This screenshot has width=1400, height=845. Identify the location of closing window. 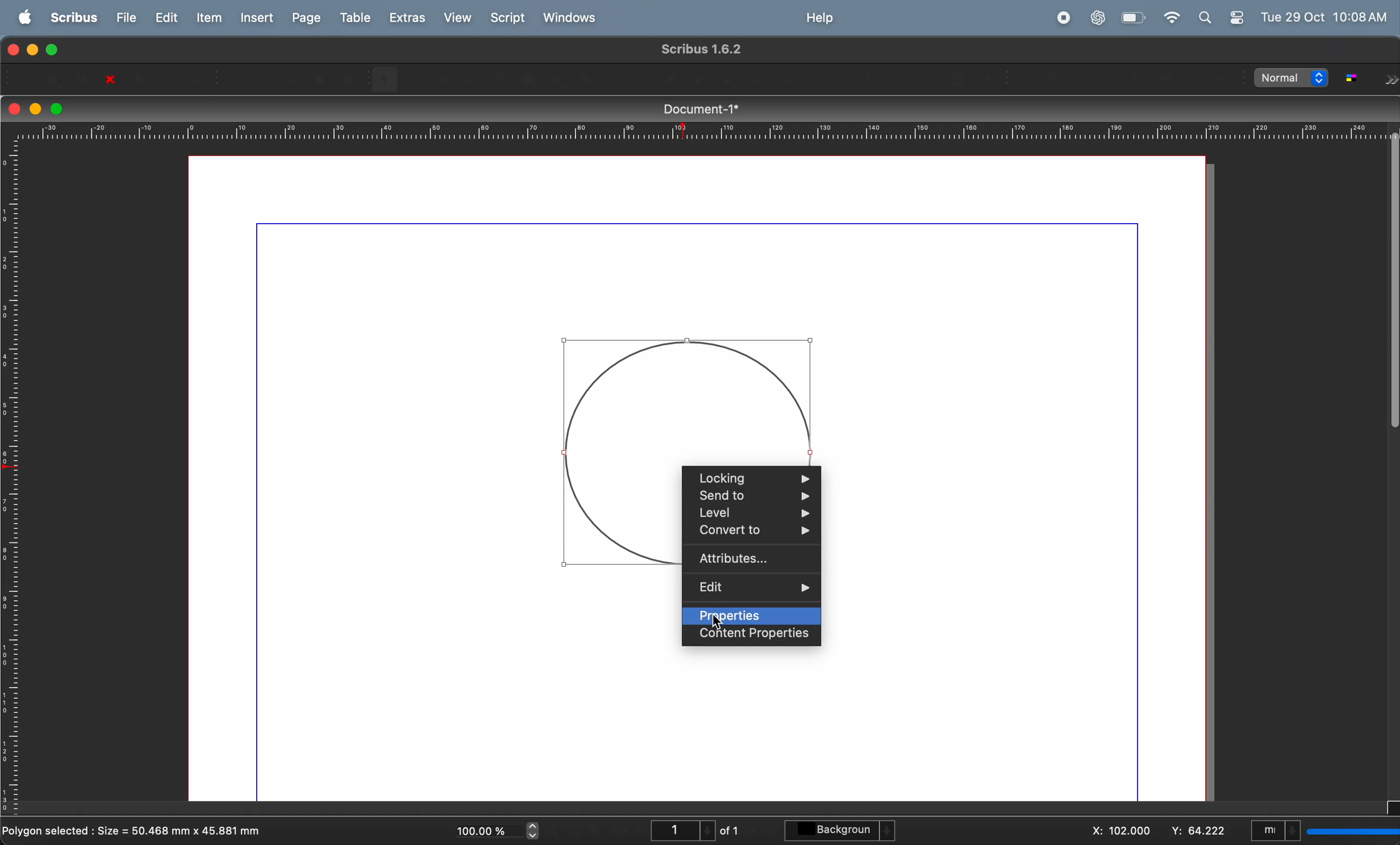
(13, 49).